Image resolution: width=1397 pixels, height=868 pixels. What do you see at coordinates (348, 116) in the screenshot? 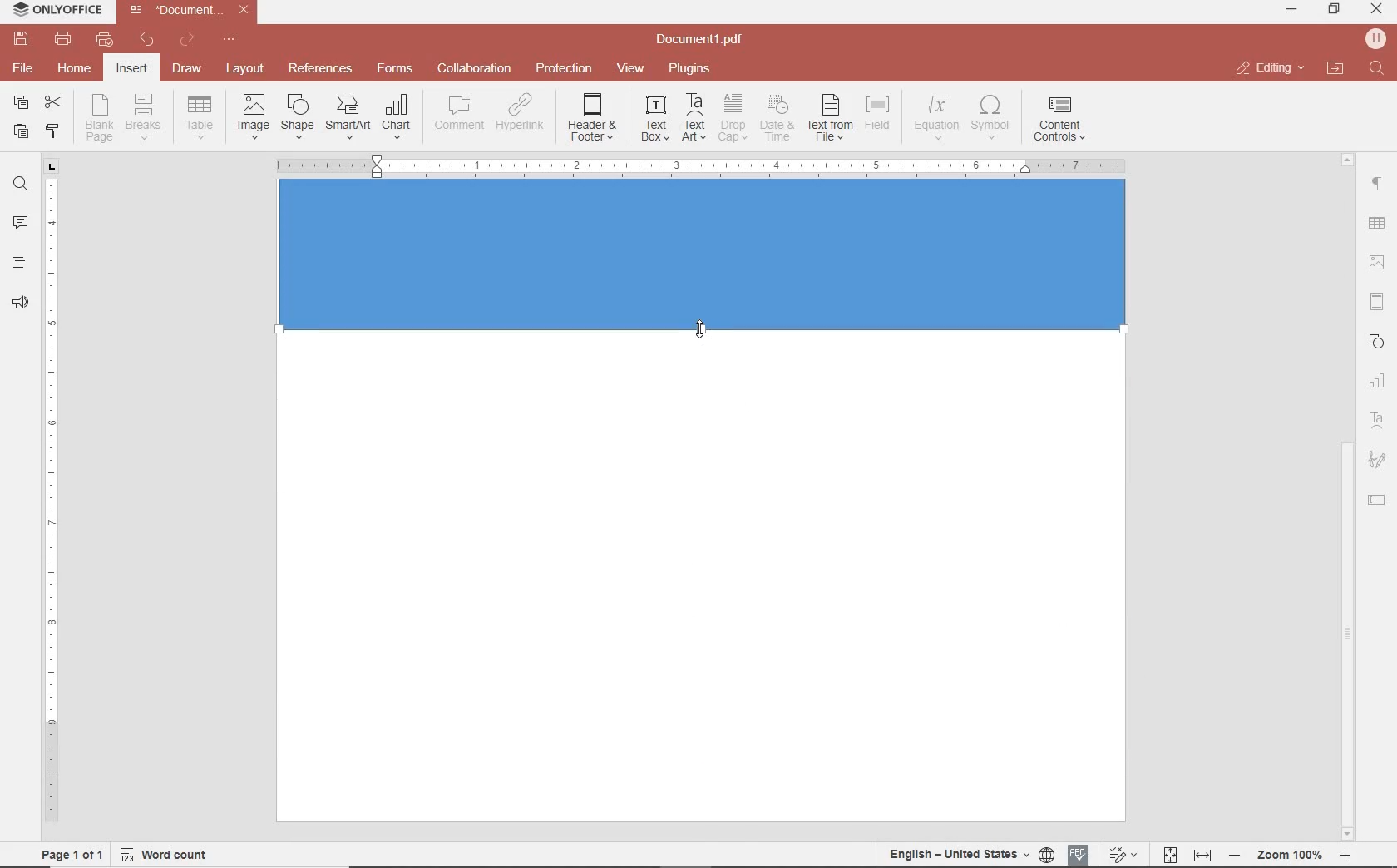
I see `INSERT SMART ART` at bounding box center [348, 116].